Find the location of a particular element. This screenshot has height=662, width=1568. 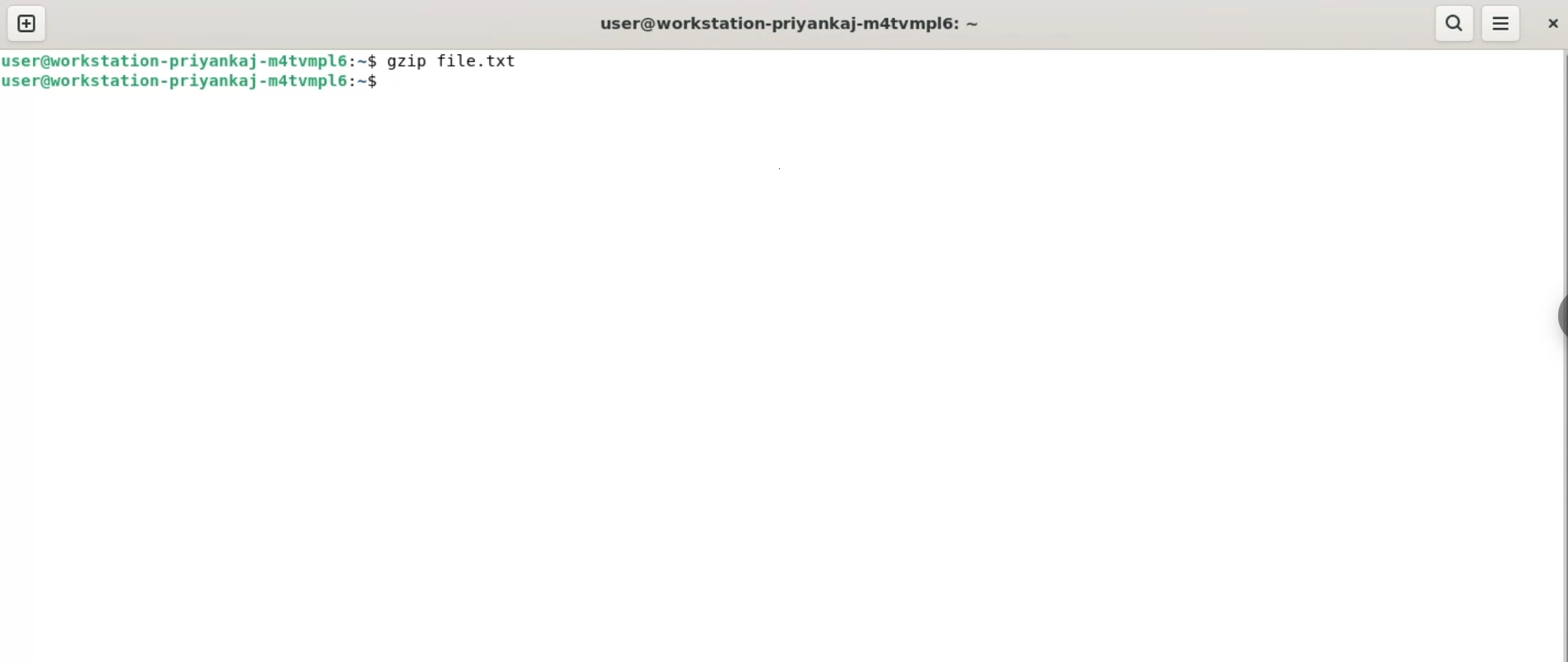

new tab is located at coordinates (29, 23).